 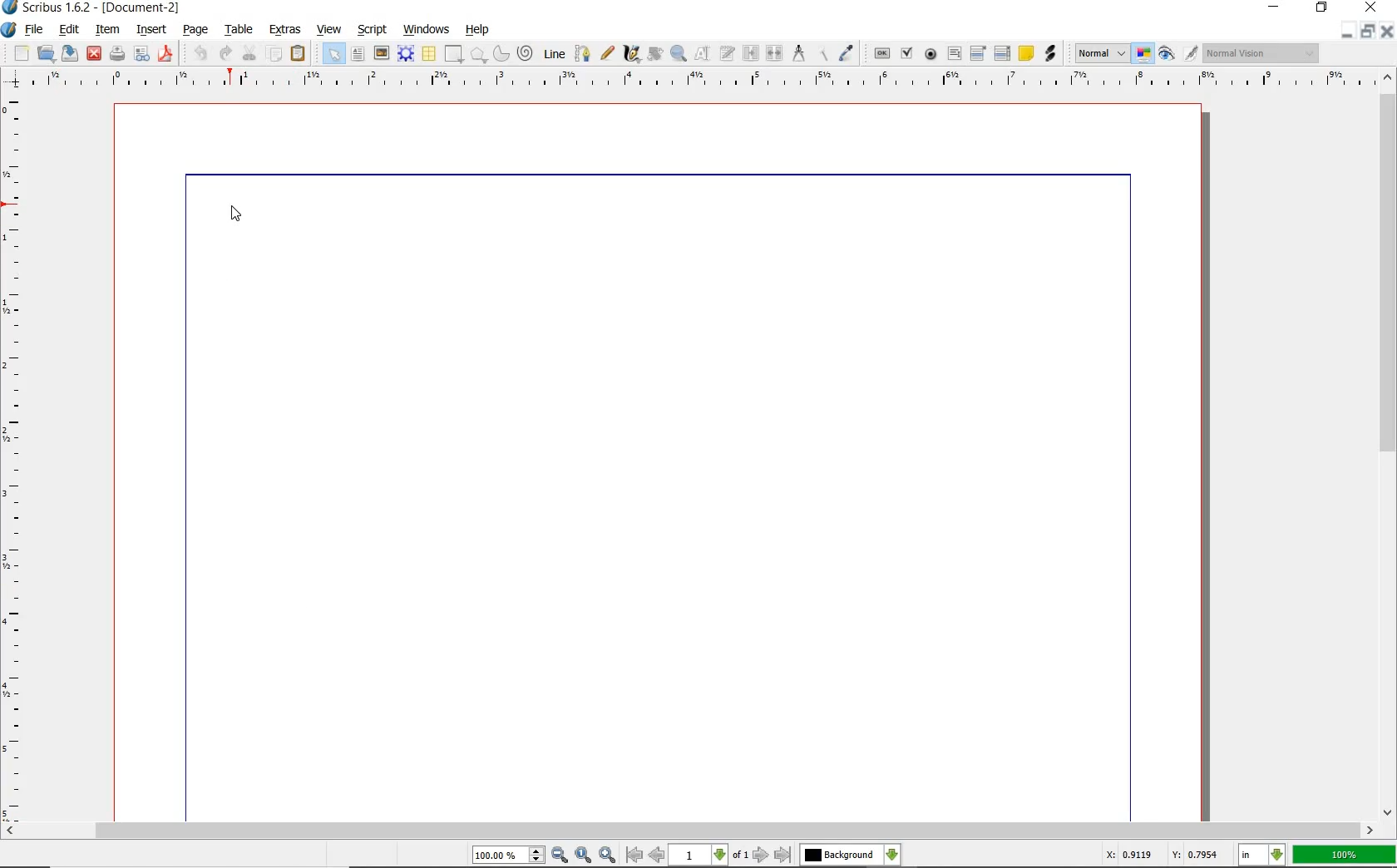 I want to click on pdf push button, so click(x=882, y=54).